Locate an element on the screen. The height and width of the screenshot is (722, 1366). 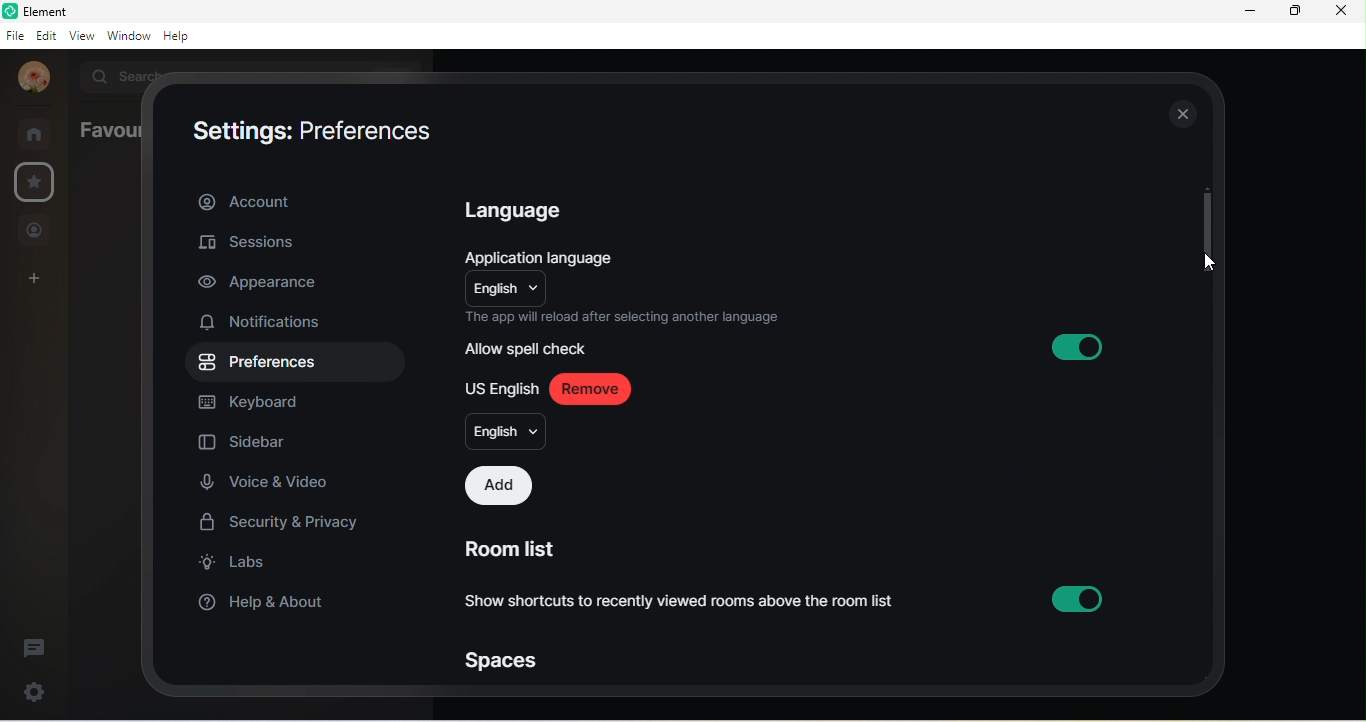
view is located at coordinates (80, 38).